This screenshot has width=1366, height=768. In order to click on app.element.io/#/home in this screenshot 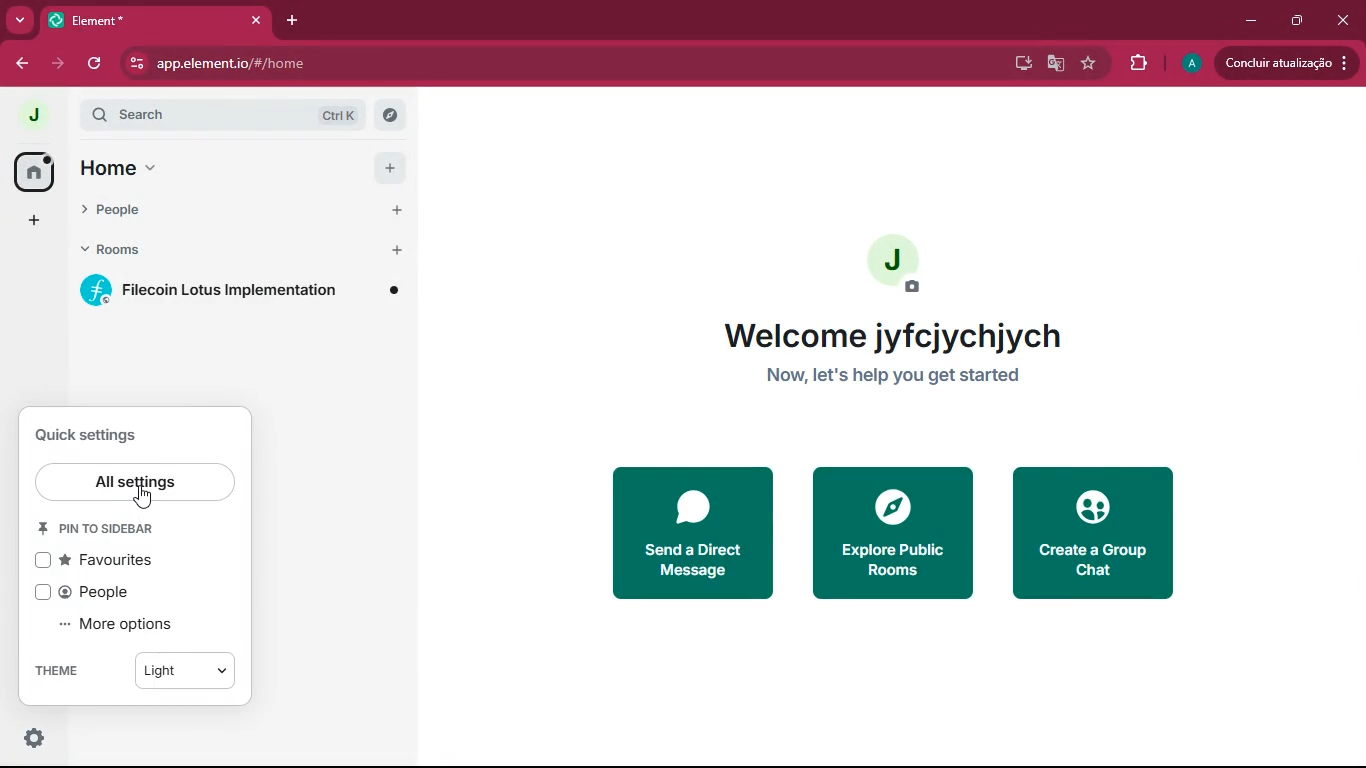, I will do `click(358, 65)`.